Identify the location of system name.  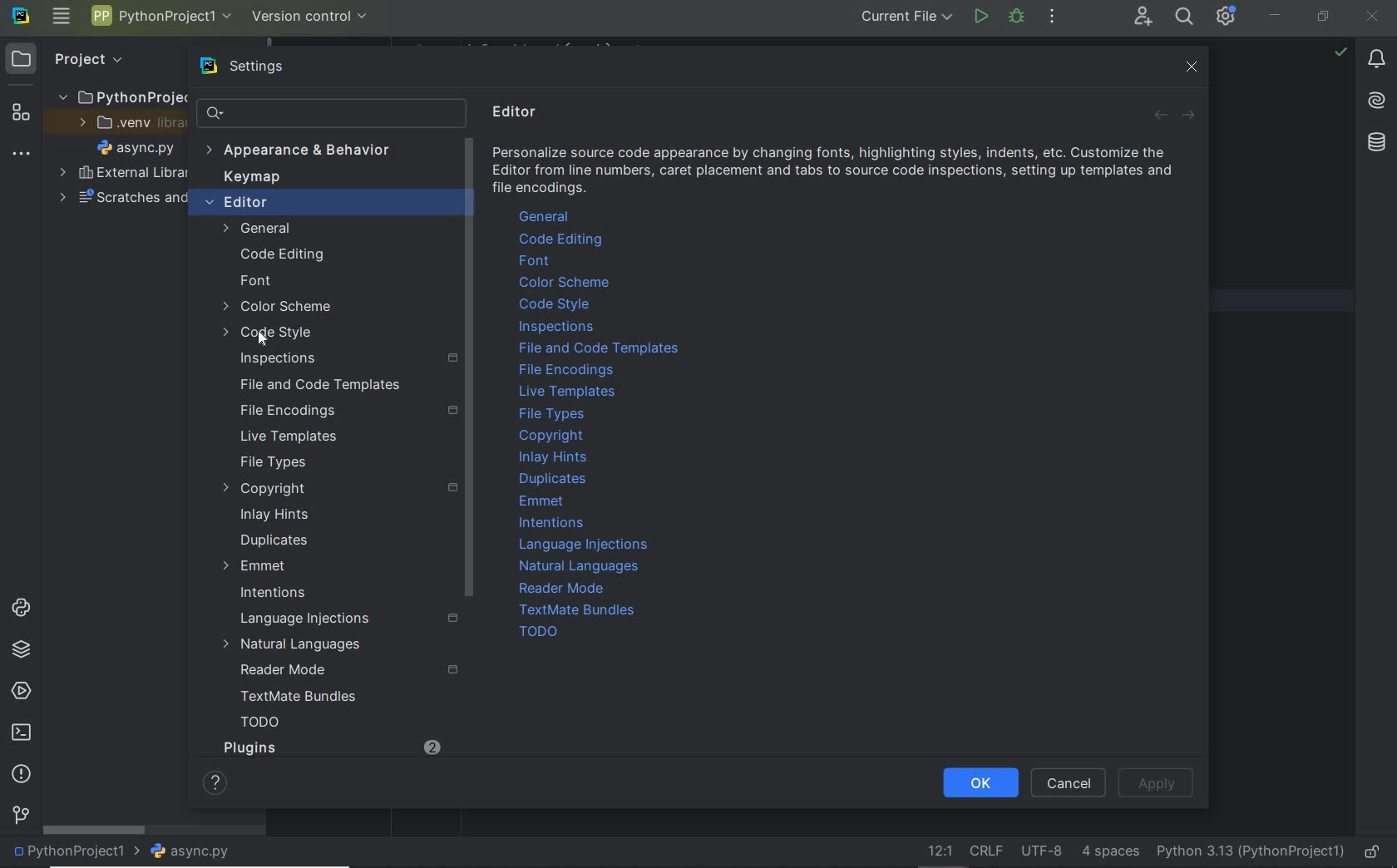
(21, 19).